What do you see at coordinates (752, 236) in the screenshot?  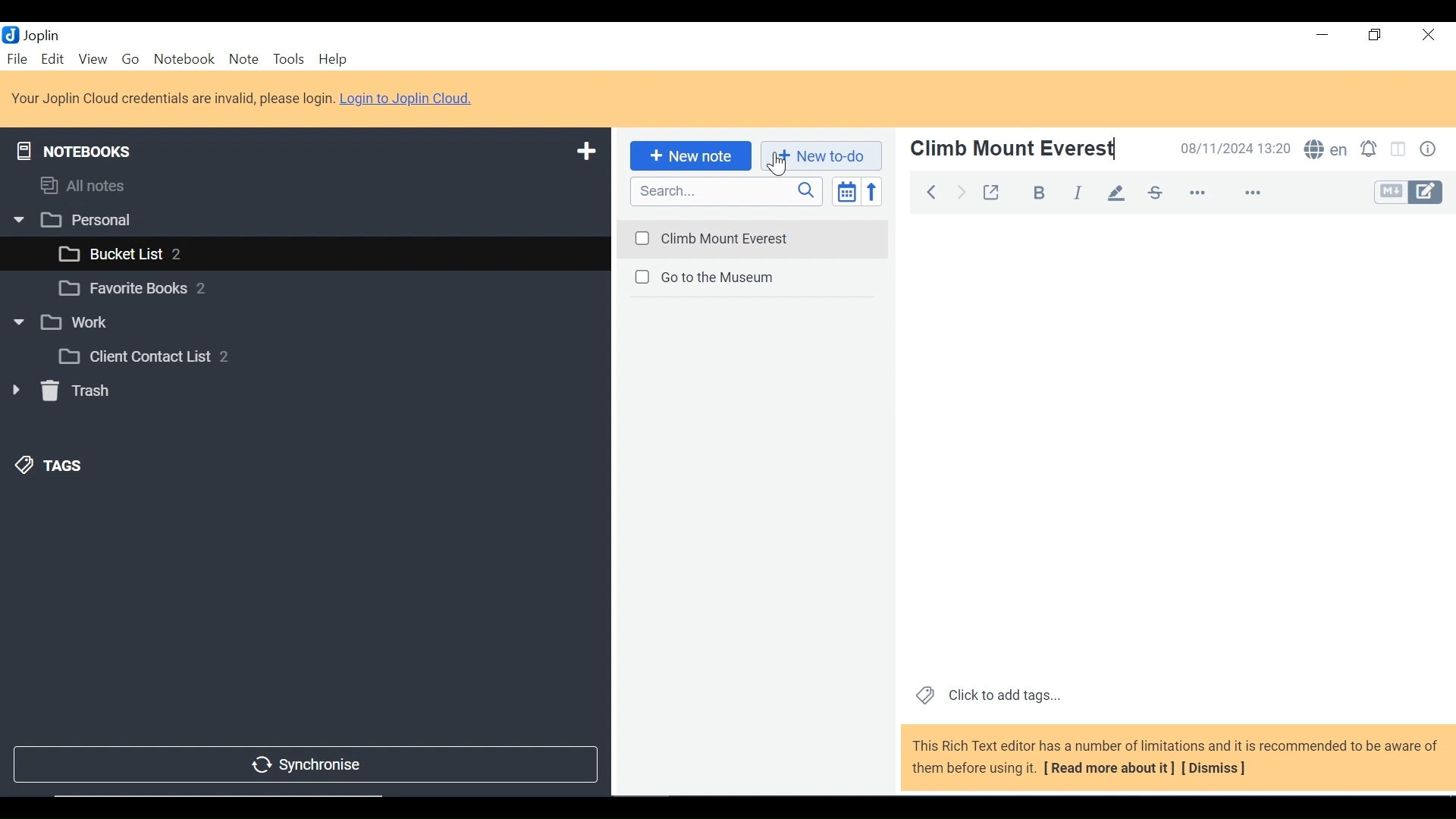 I see `Note Name` at bounding box center [752, 236].